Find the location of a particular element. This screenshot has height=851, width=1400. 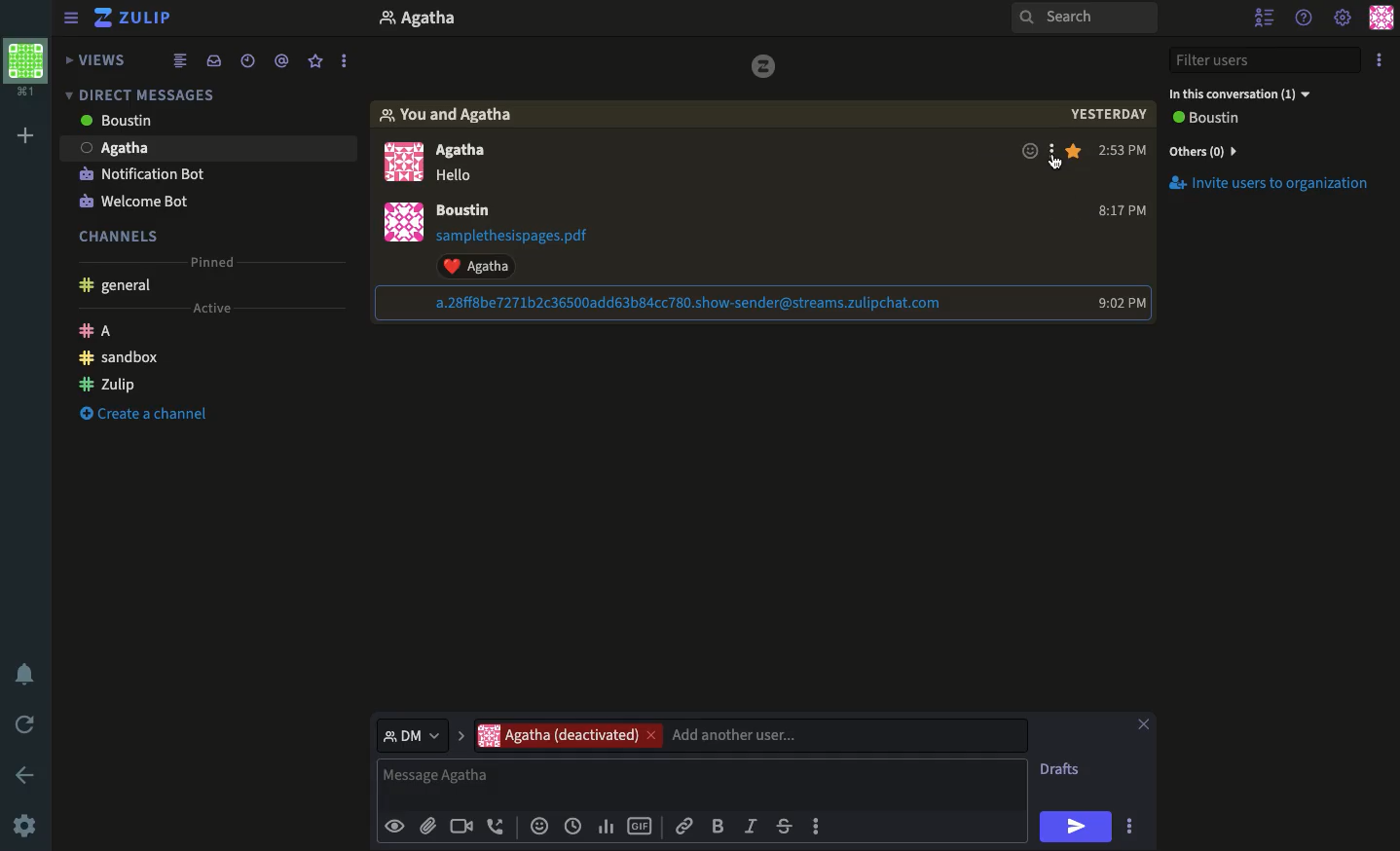

PDF attachment is located at coordinates (531, 236).